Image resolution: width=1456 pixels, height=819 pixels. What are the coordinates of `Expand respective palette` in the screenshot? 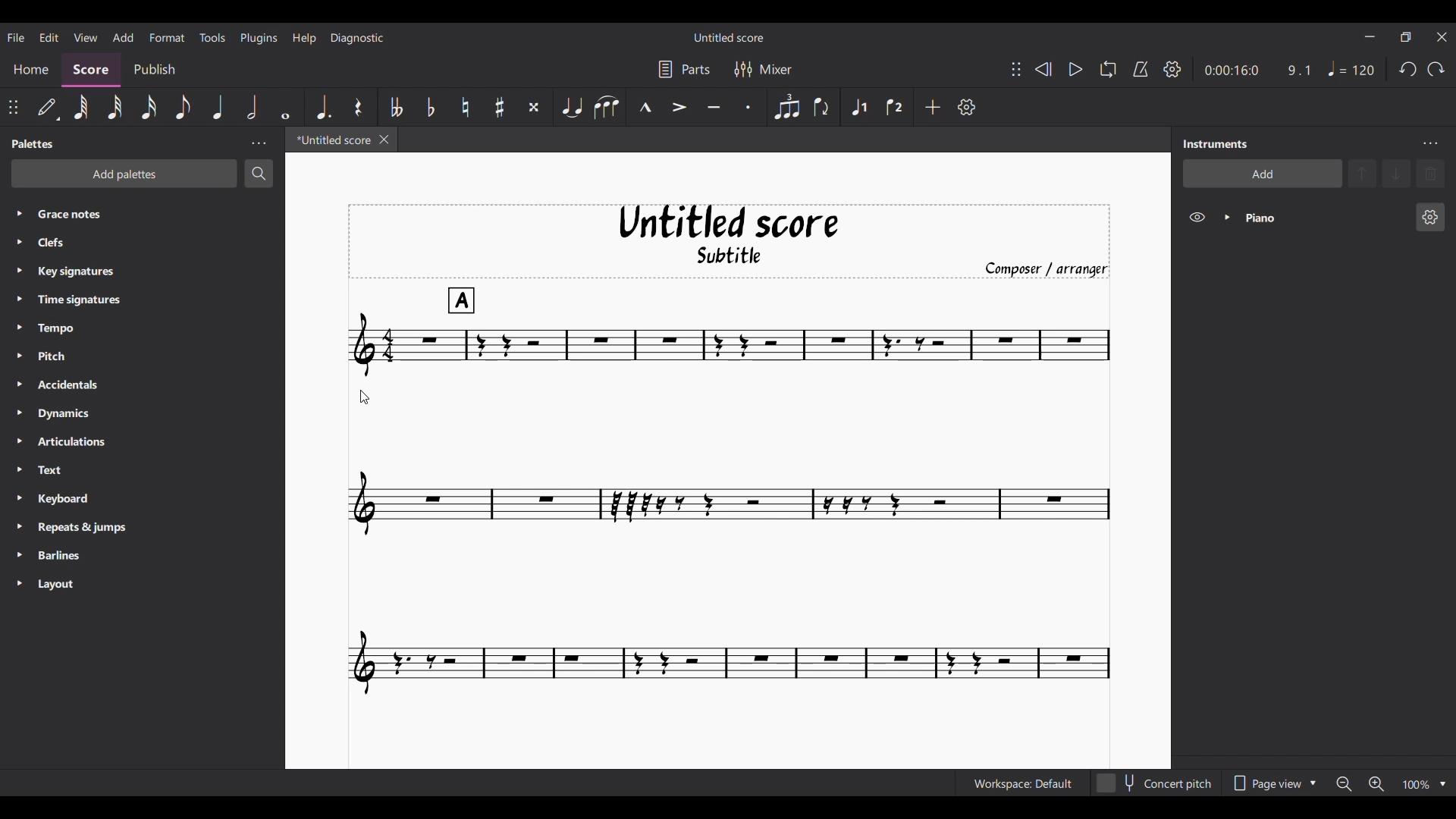 It's located at (14, 398).